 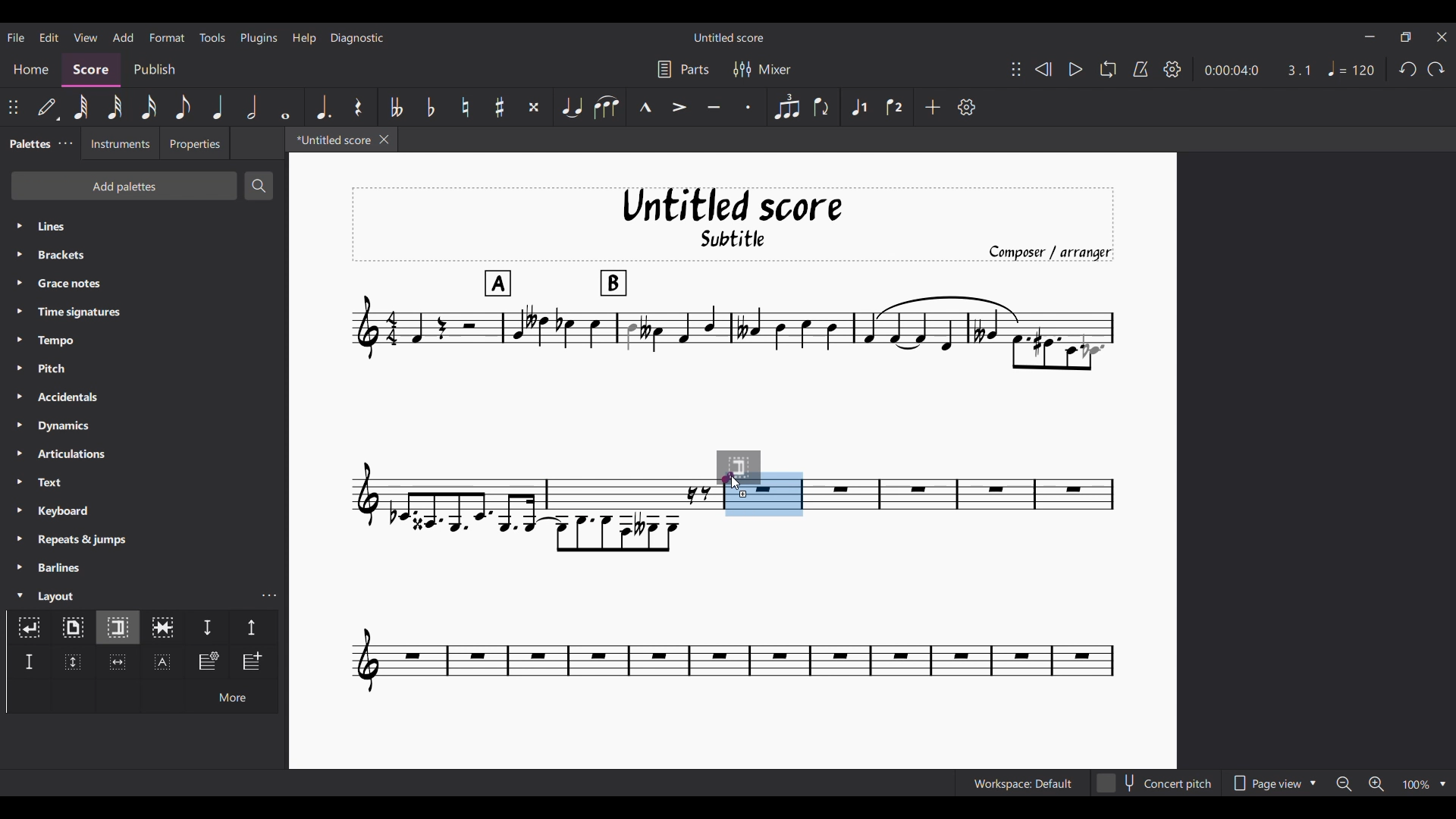 What do you see at coordinates (144, 567) in the screenshot?
I see `Barlines` at bounding box center [144, 567].